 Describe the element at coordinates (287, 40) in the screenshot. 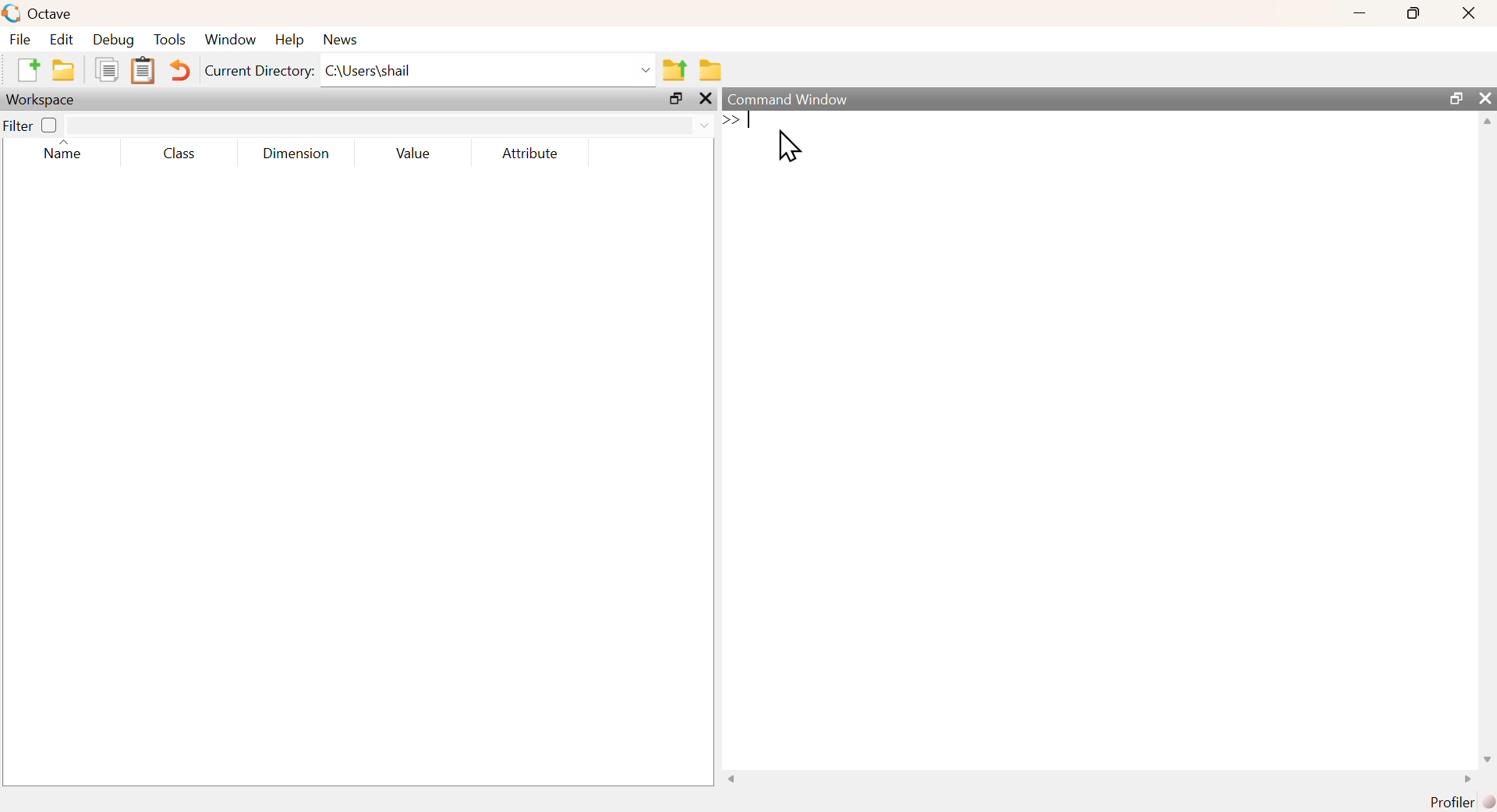

I see `Help` at that location.